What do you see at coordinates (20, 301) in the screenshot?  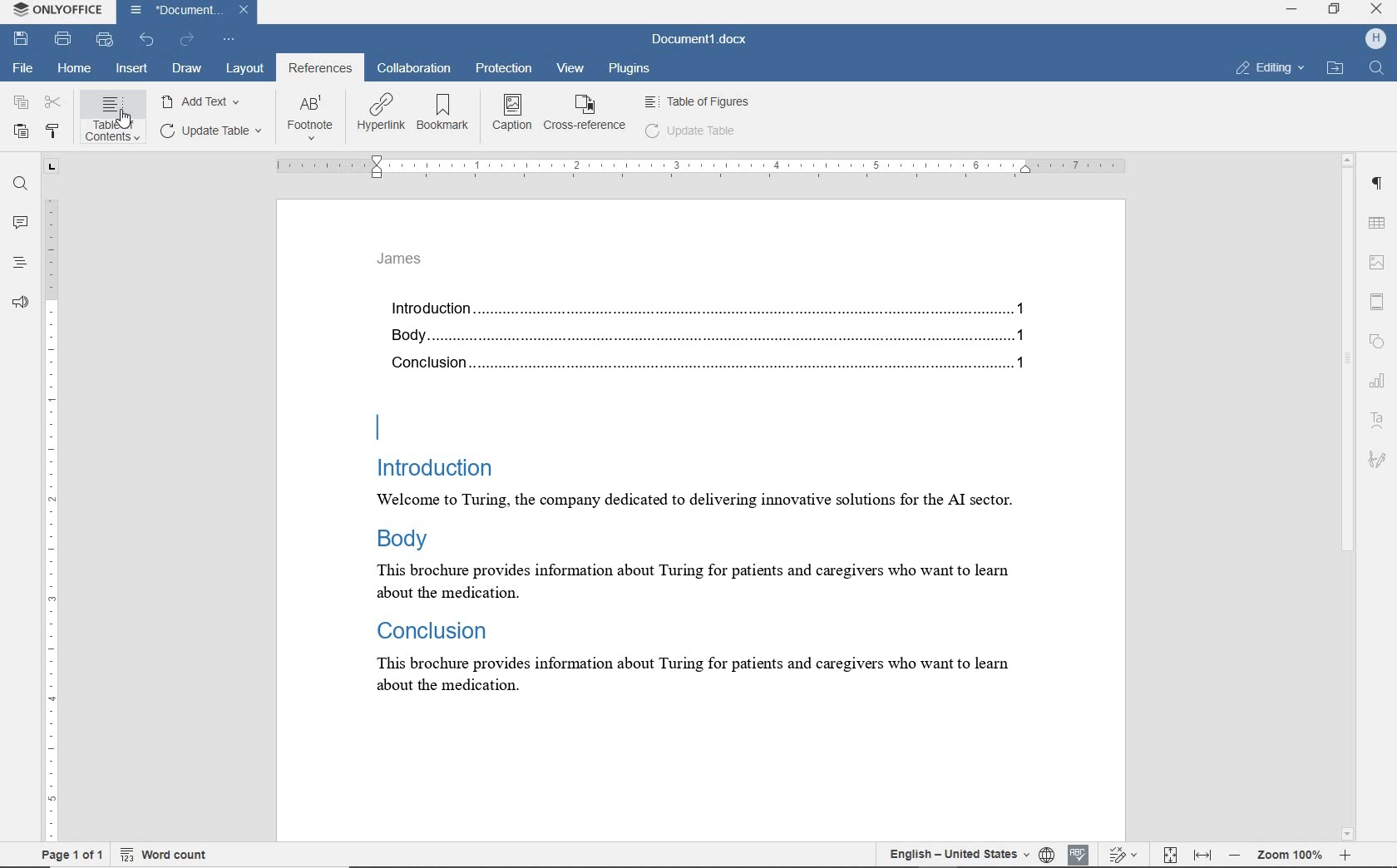 I see `feedback & support` at bounding box center [20, 301].